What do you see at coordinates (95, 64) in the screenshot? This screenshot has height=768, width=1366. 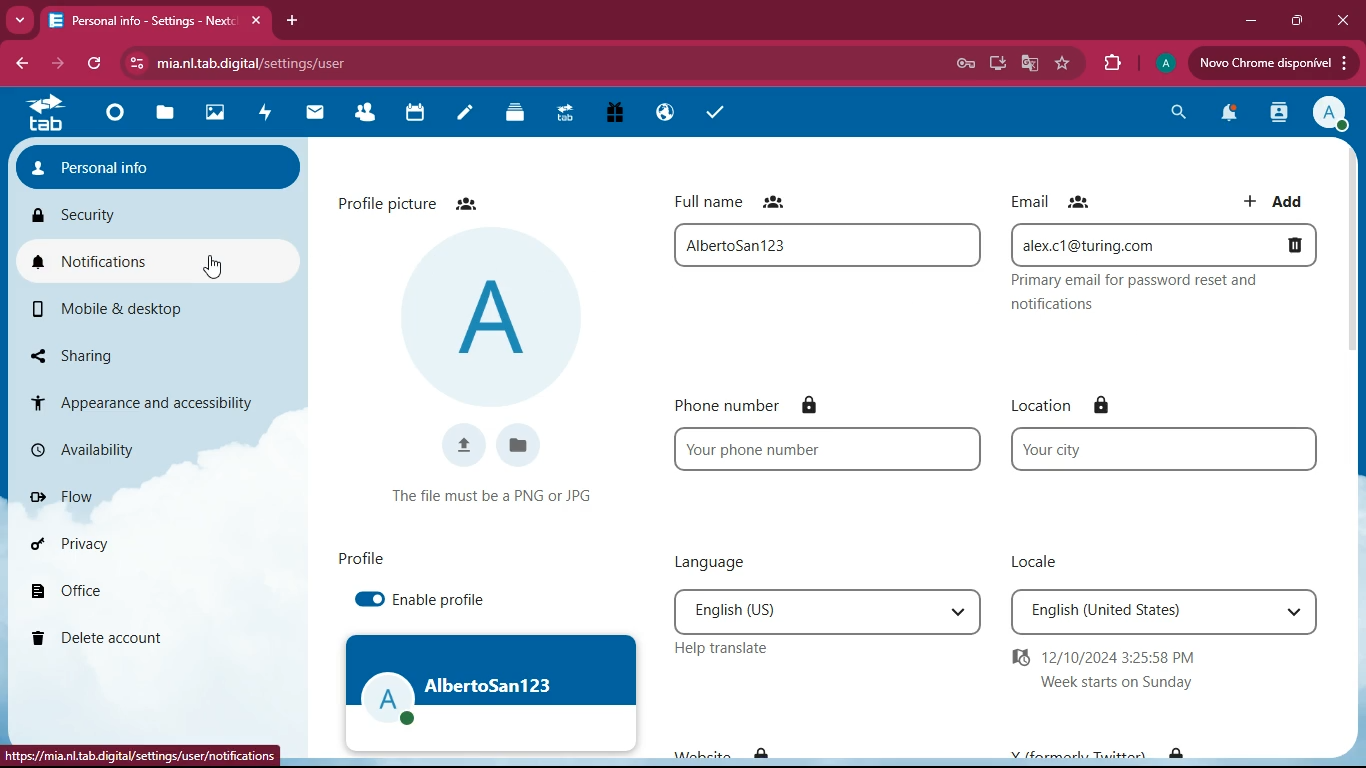 I see `refresh` at bounding box center [95, 64].